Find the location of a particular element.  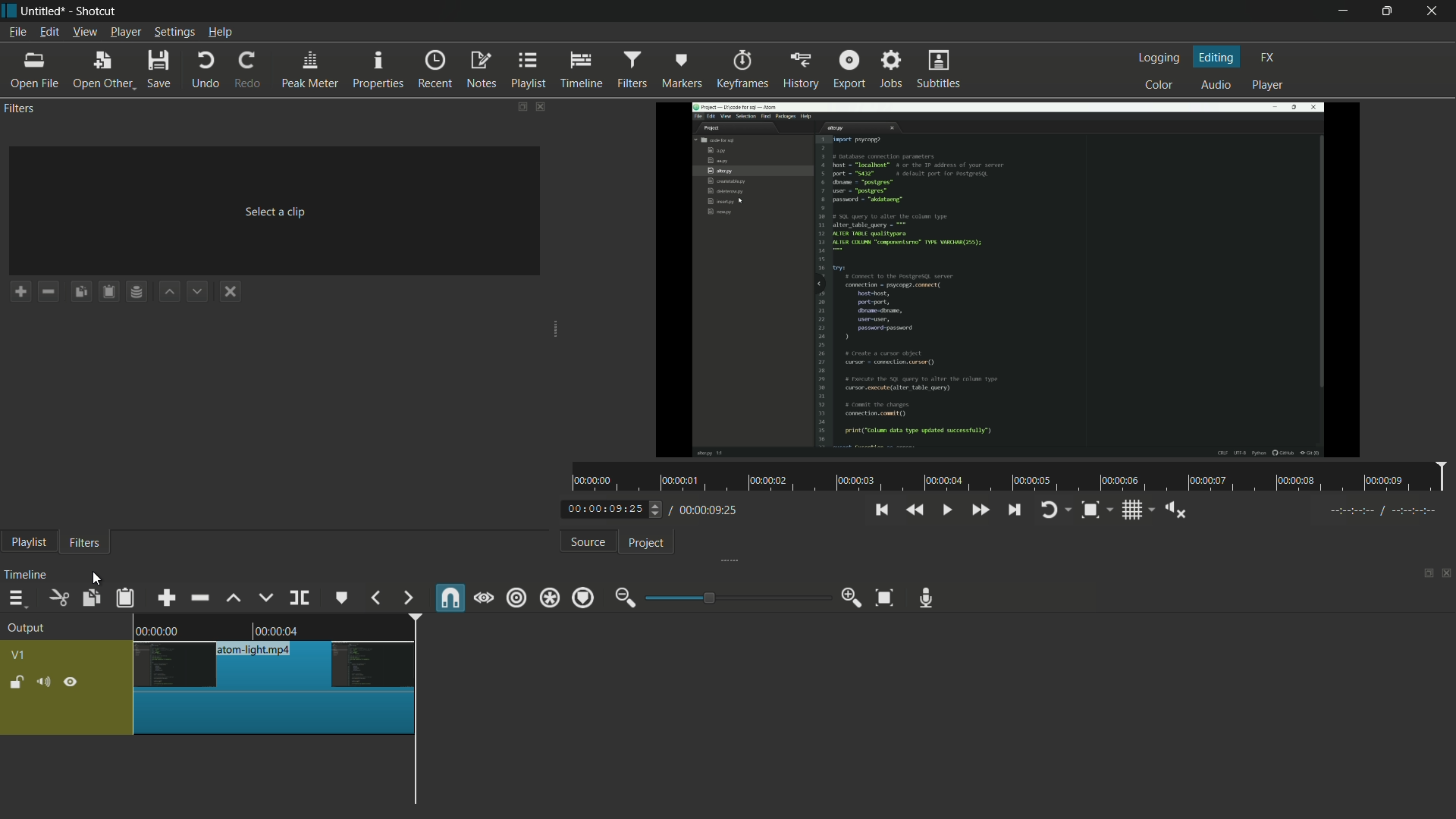

source is located at coordinates (588, 542).